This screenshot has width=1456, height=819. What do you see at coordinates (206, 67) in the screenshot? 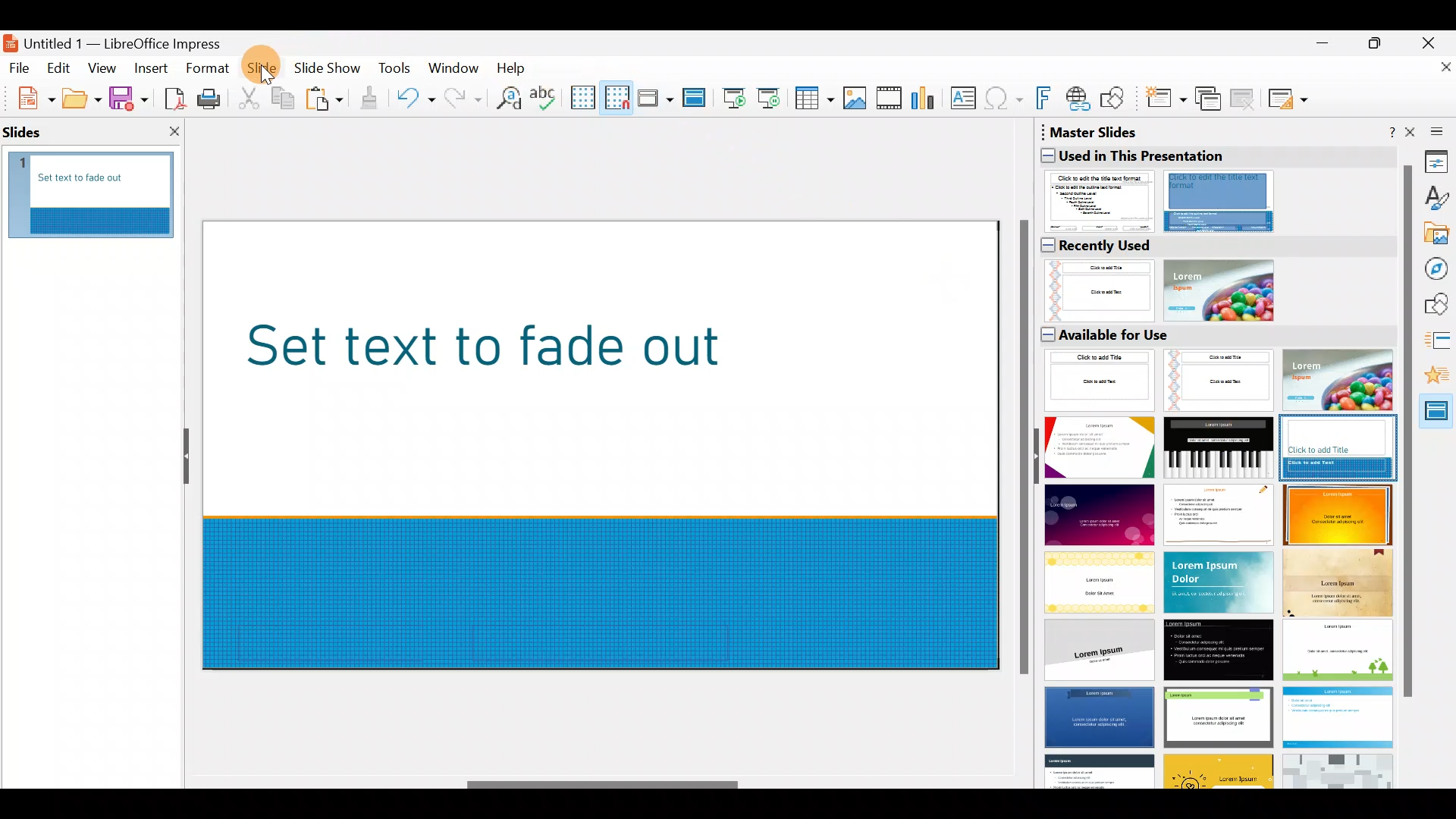
I see `Format` at bounding box center [206, 67].